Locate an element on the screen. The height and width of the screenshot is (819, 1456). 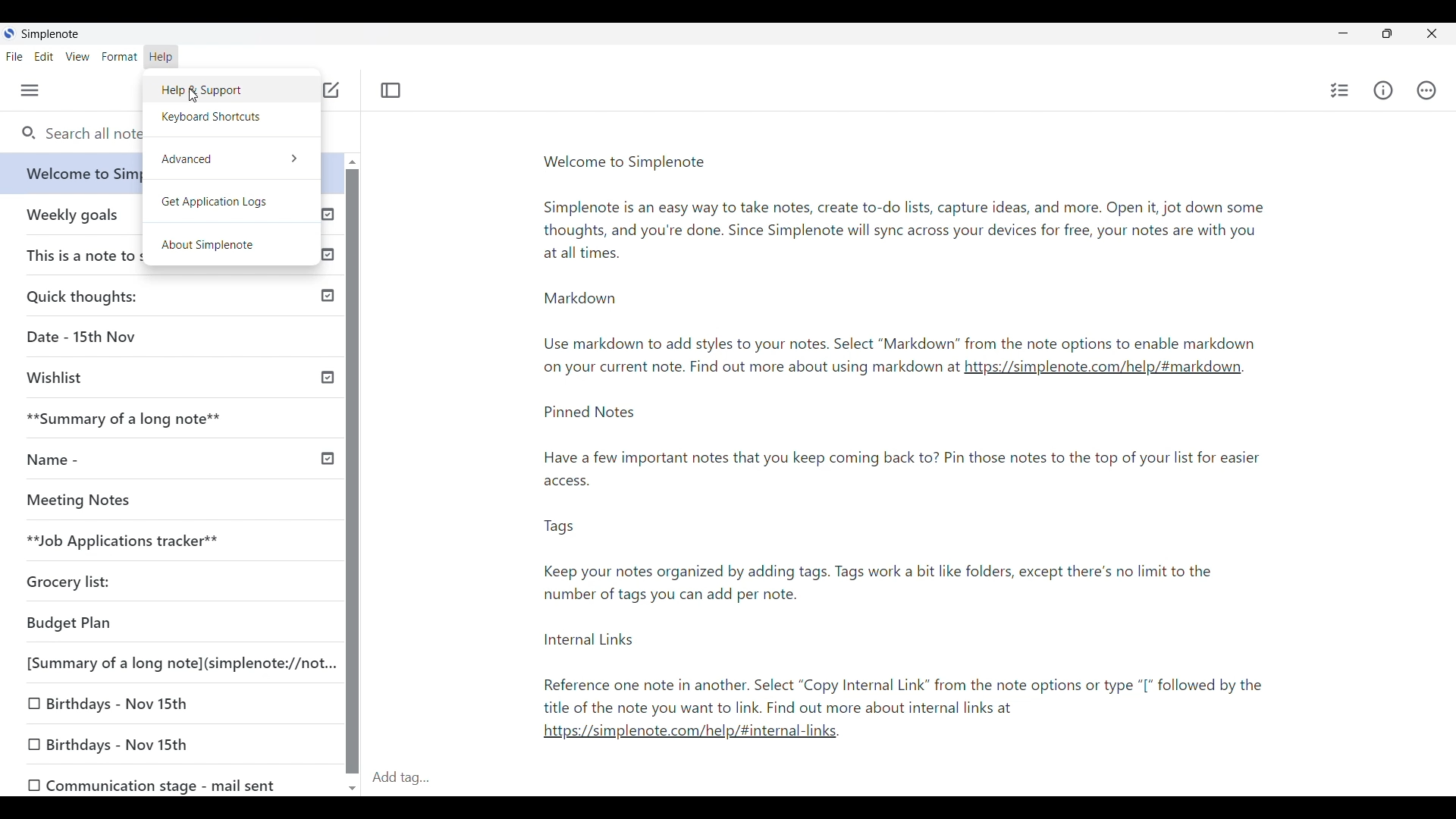
Show interface in a smaller tab is located at coordinates (1387, 33).